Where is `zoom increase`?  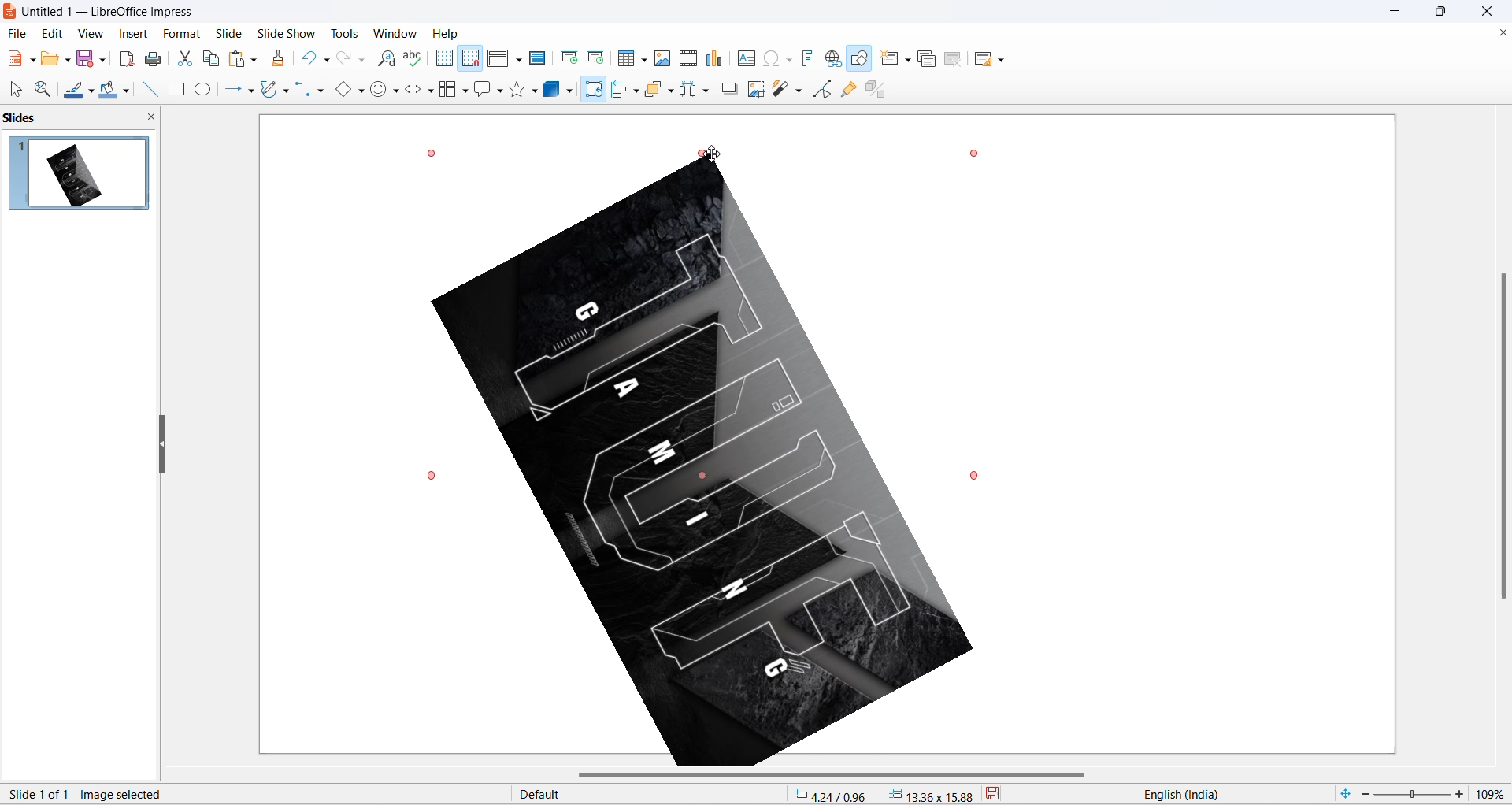
zoom increase is located at coordinates (1462, 793).